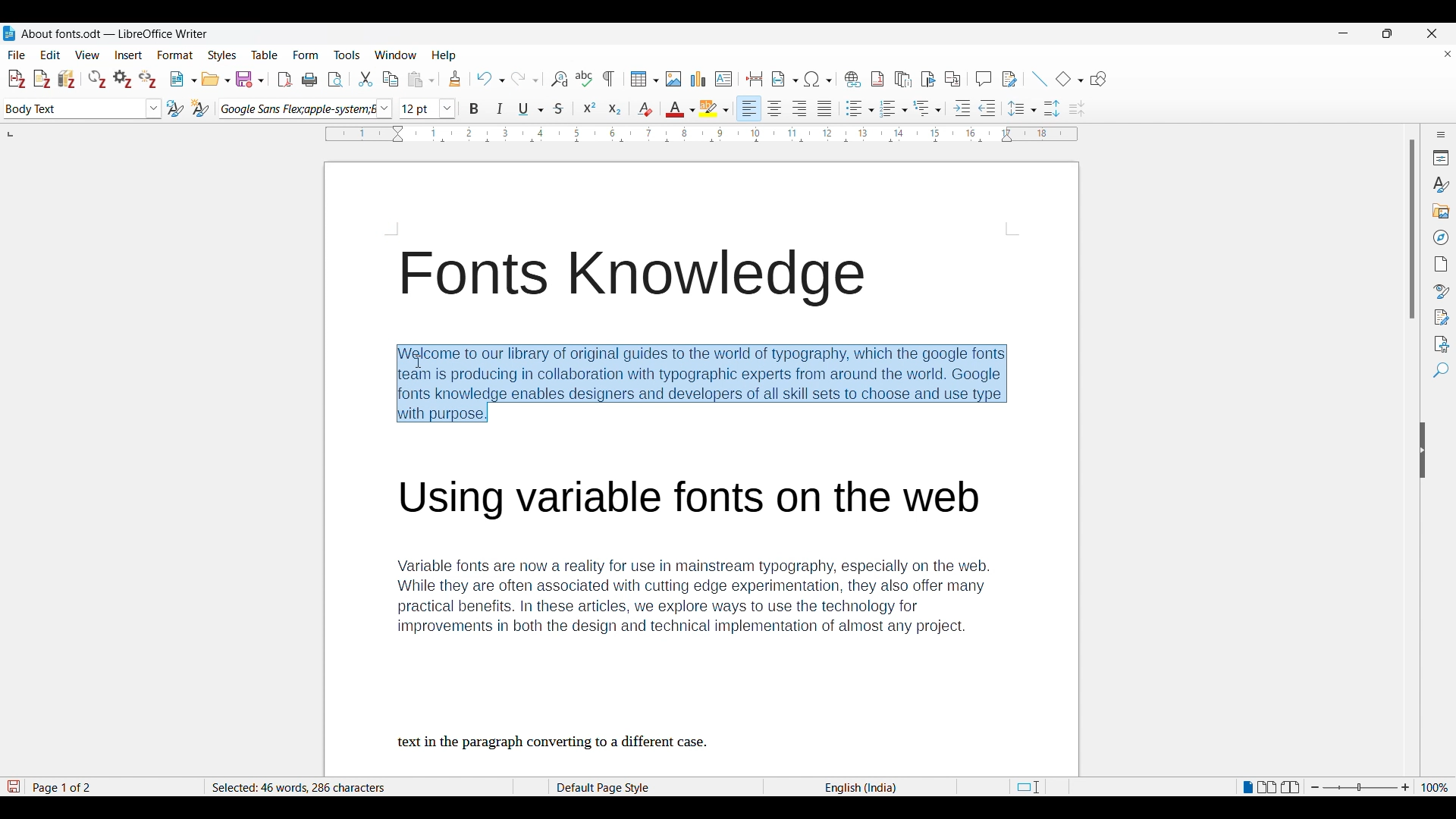  What do you see at coordinates (723, 79) in the screenshot?
I see `Insert text box` at bounding box center [723, 79].